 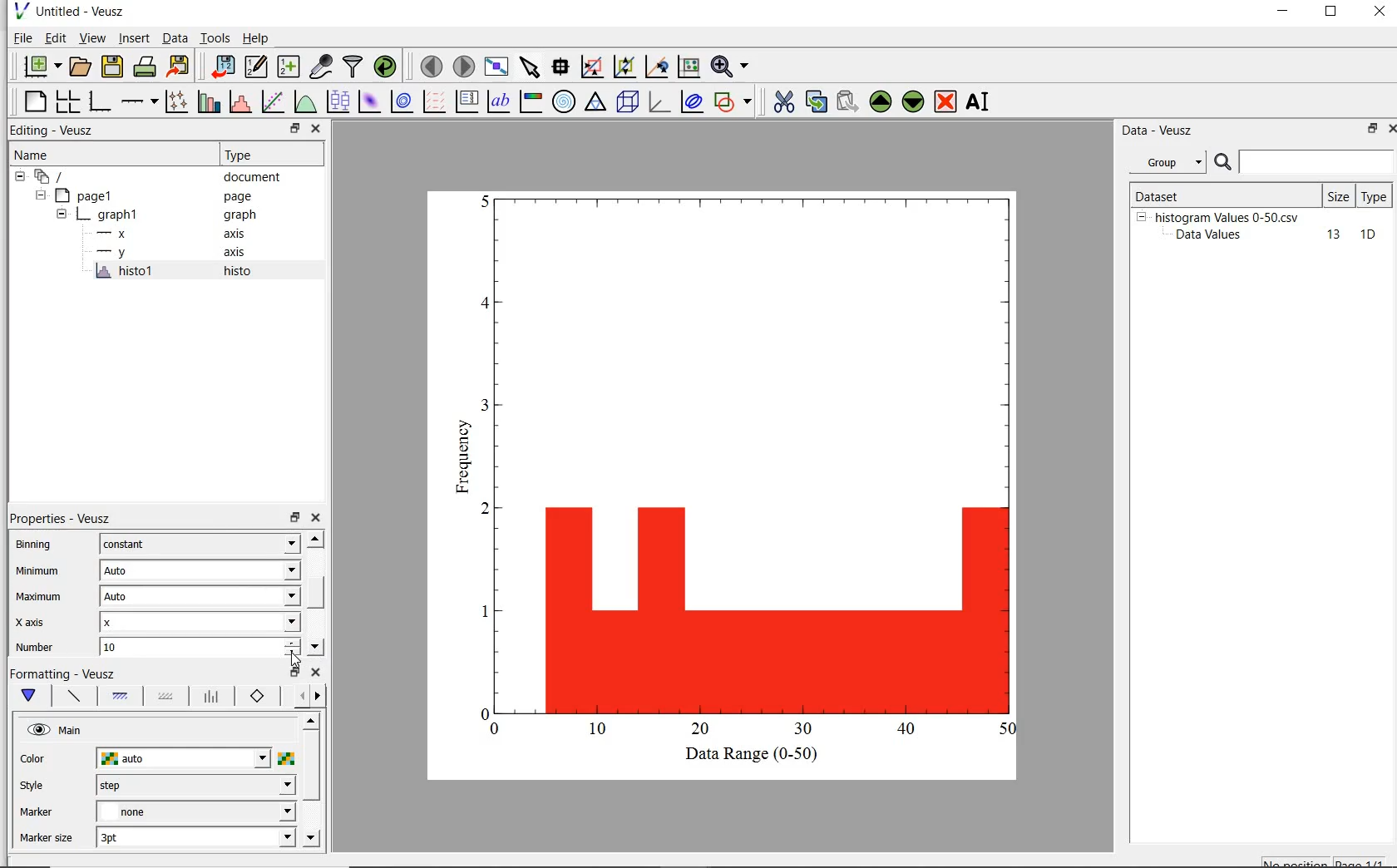 What do you see at coordinates (175, 37) in the screenshot?
I see `Data` at bounding box center [175, 37].